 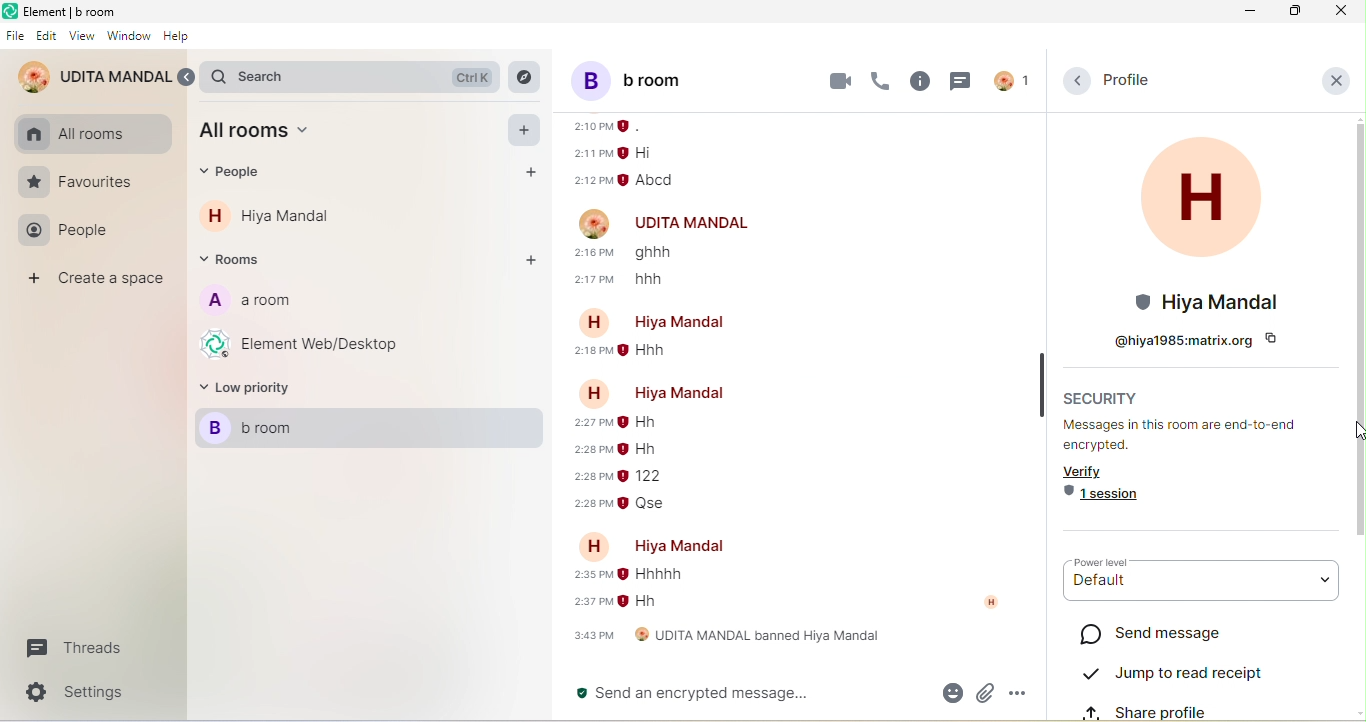 What do you see at coordinates (47, 36) in the screenshot?
I see `edit` at bounding box center [47, 36].